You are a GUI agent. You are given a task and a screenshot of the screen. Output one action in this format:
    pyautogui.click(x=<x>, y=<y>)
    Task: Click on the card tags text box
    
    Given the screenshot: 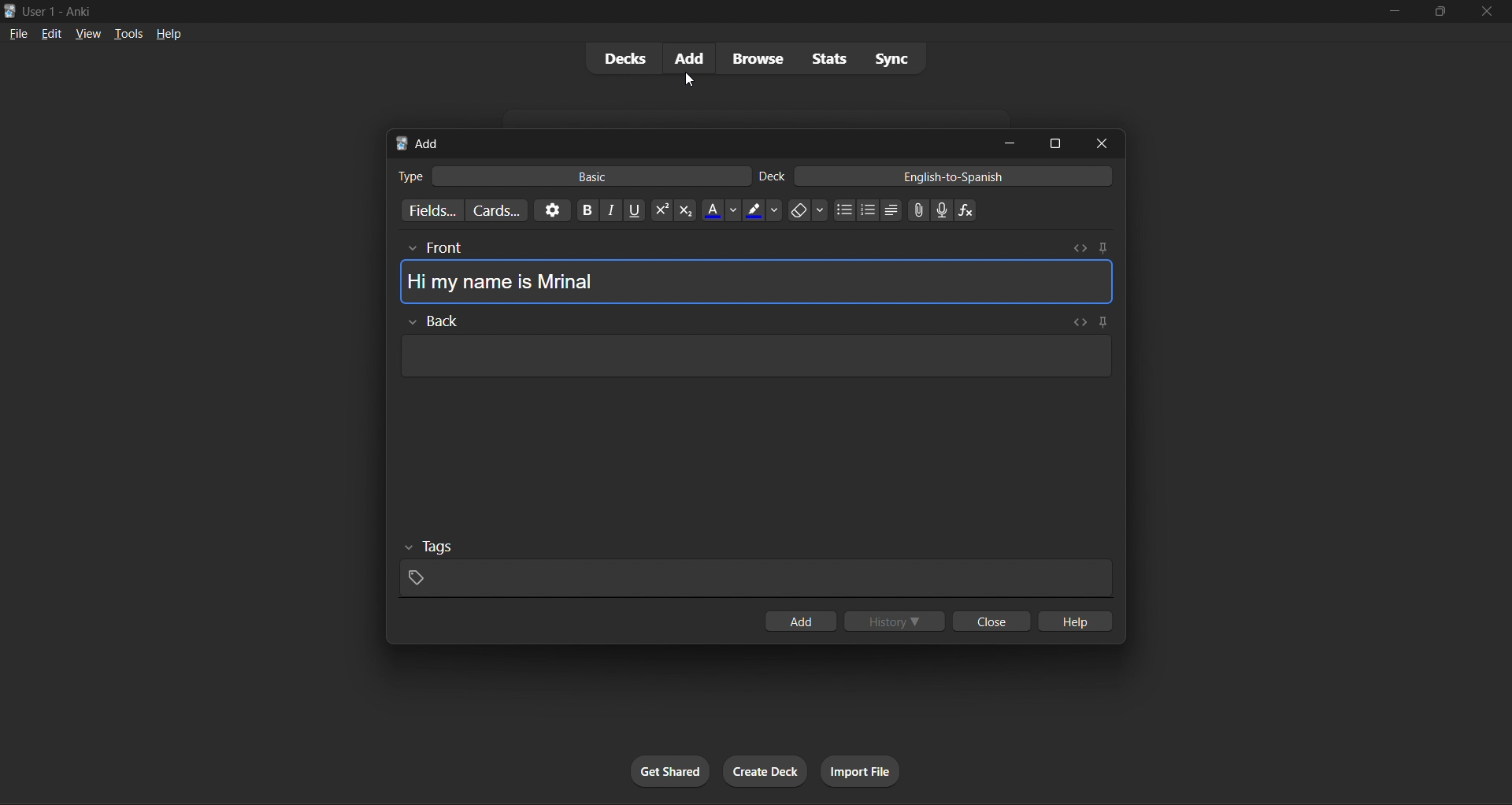 What is the action you would take?
    pyautogui.click(x=754, y=568)
    